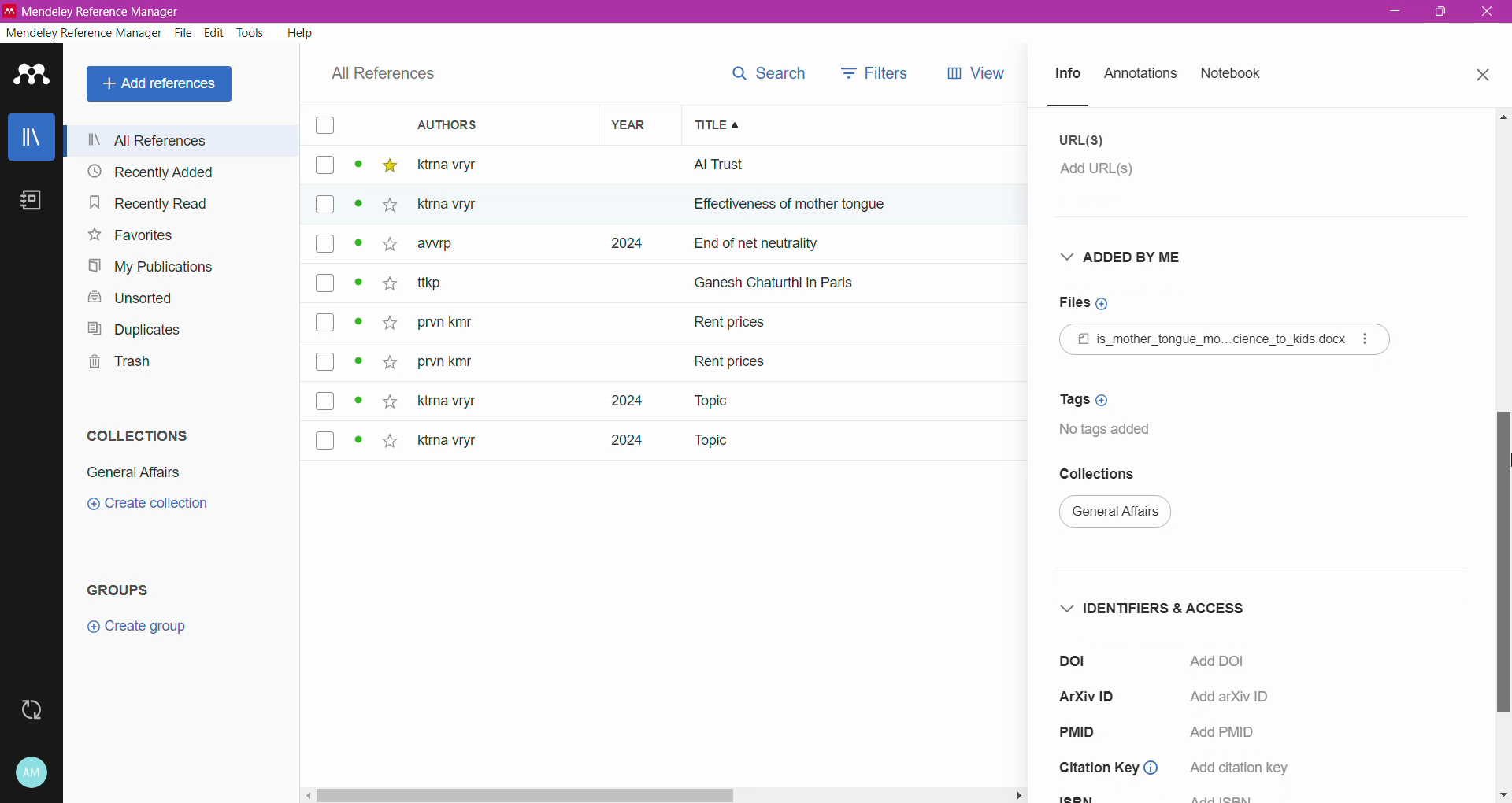 The width and height of the screenshot is (1512, 803). Describe the element at coordinates (1066, 75) in the screenshot. I see `Info` at that location.